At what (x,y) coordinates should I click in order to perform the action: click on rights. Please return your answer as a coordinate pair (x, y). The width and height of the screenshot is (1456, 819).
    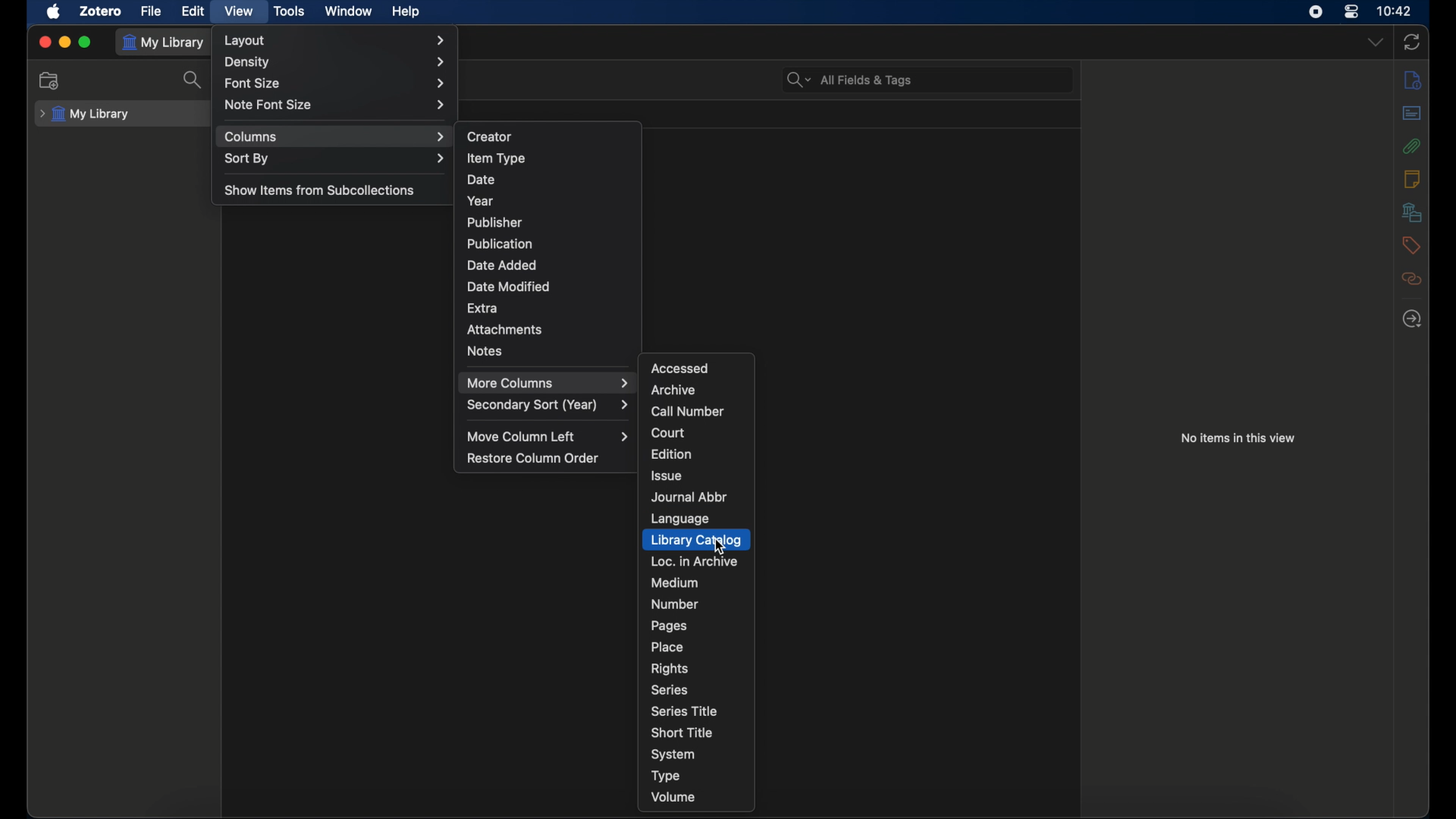
    Looking at the image, I should click on (669, 669).